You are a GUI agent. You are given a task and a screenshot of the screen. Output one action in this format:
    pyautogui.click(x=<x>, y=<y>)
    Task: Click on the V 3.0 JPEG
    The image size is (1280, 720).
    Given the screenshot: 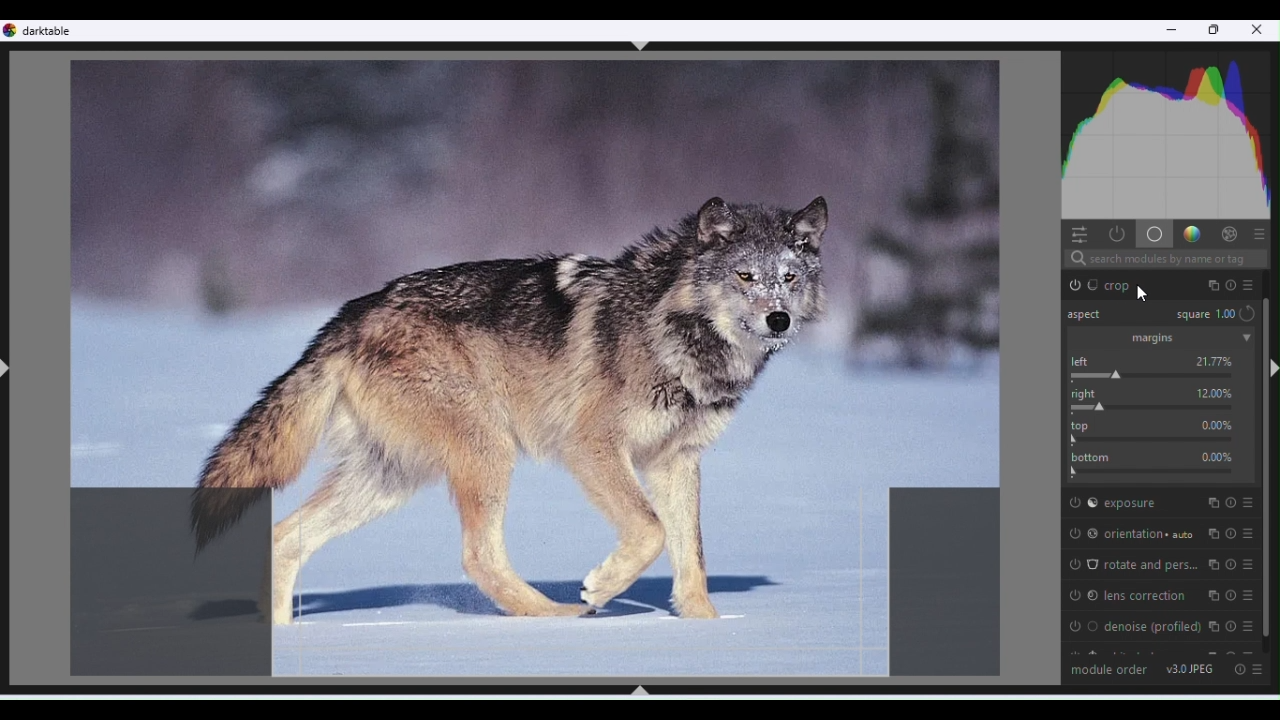 What is the action you would take?
    pyautogui.click(x=1191, y=668)
    